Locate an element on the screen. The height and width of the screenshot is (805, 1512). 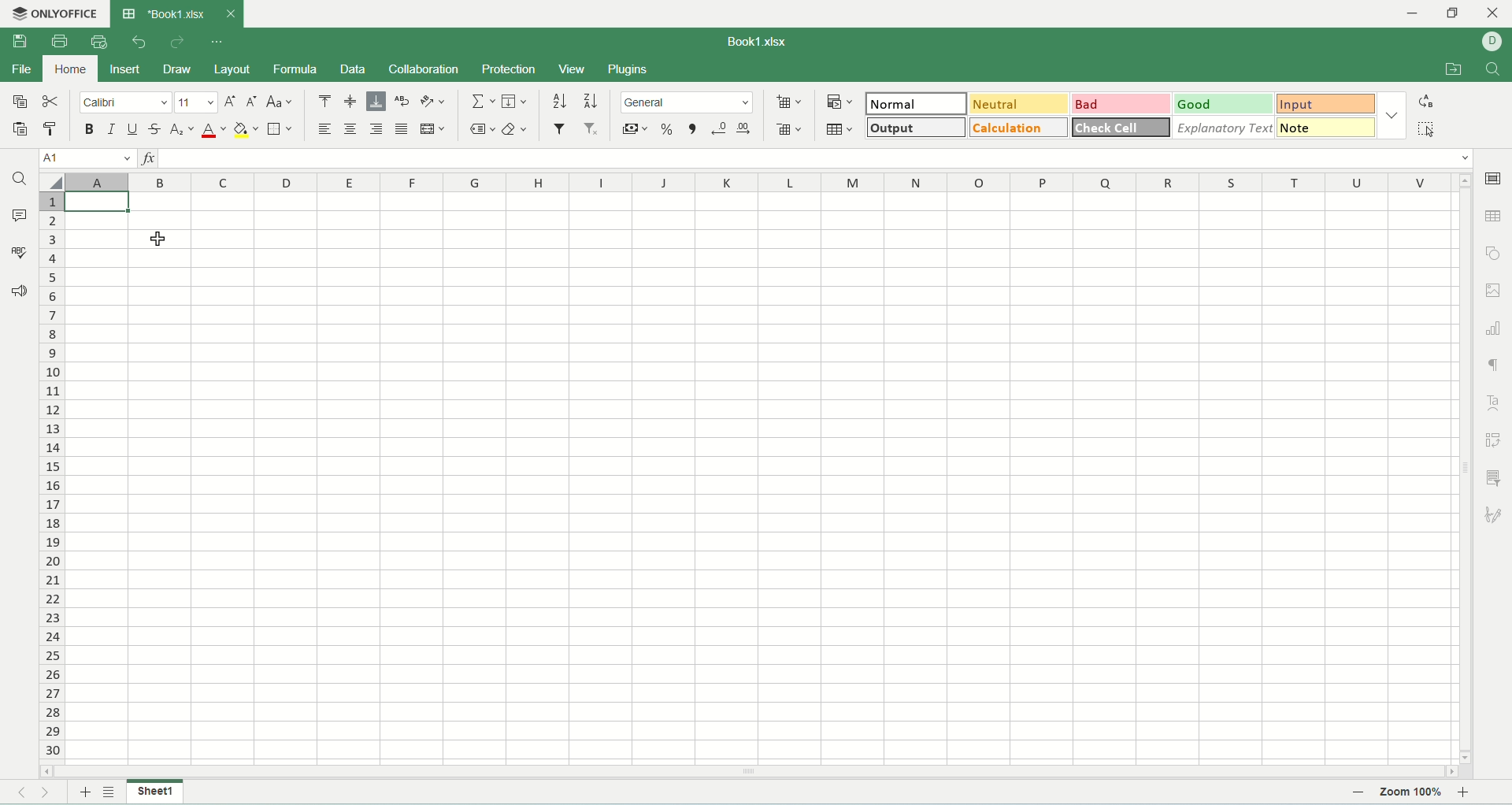
file is located at coordinates (20, 70).